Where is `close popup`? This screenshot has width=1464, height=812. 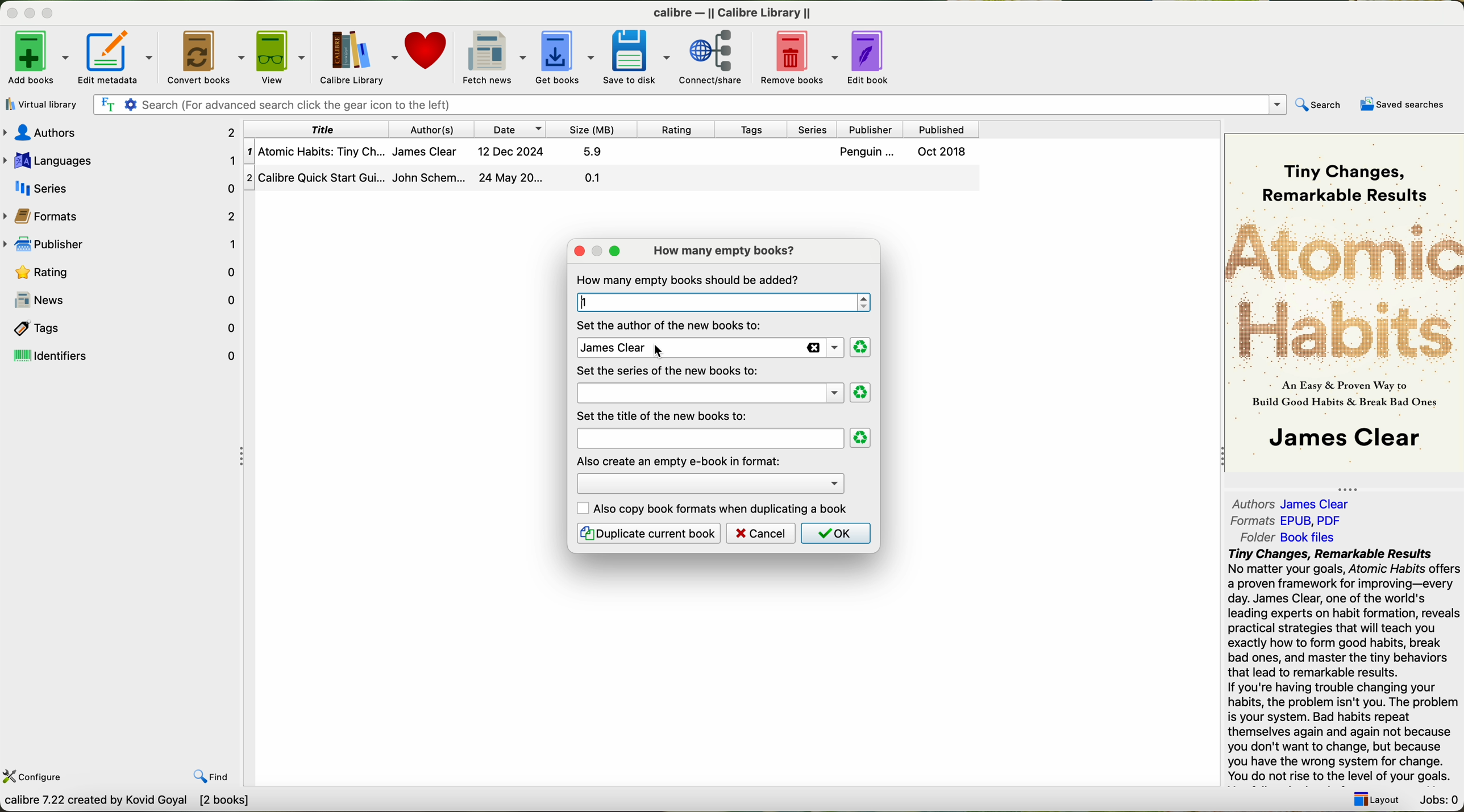 close popup is located at coordinates (578, 249).